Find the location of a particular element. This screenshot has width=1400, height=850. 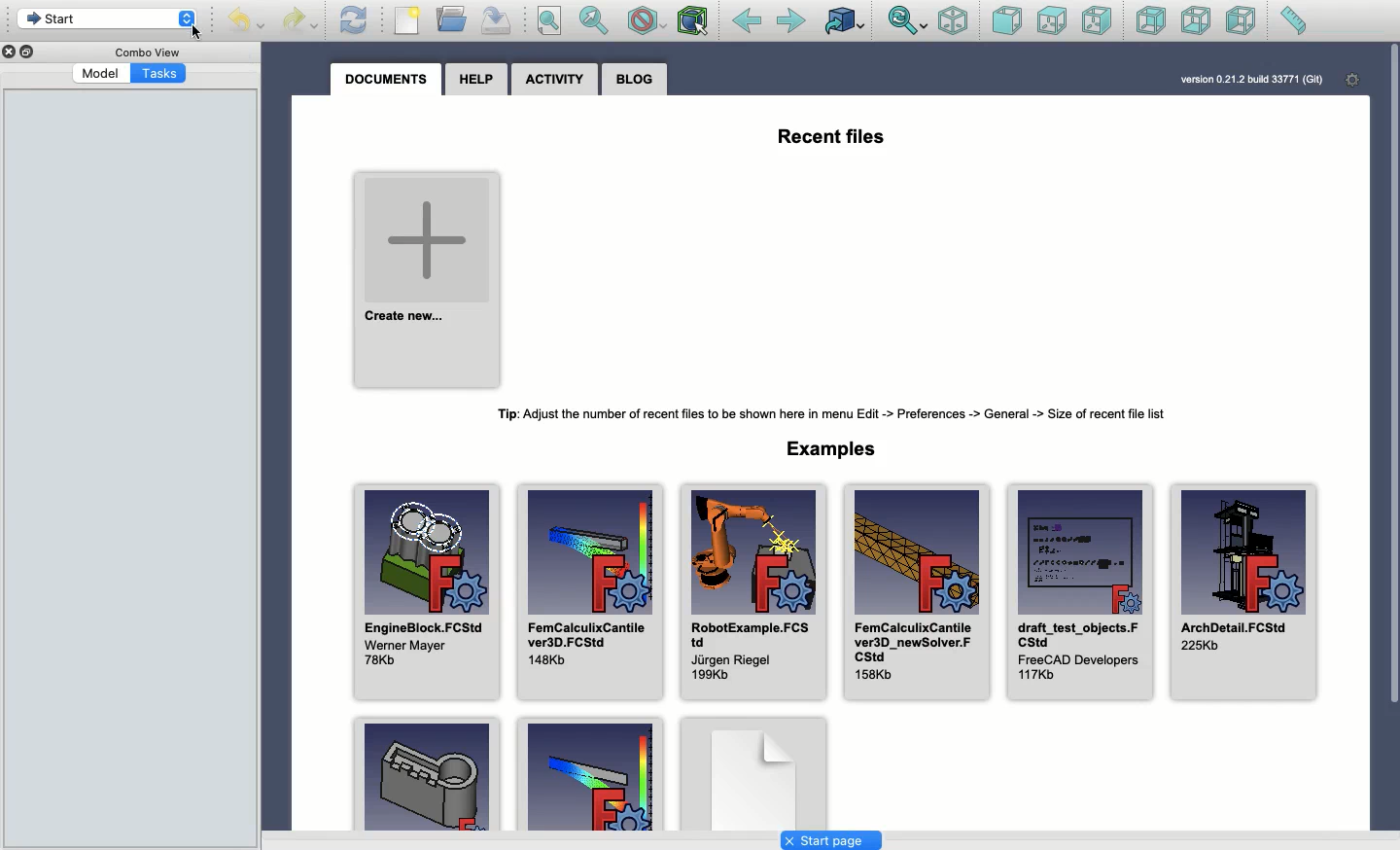

Example 3 is located at coordinates (753, 772).